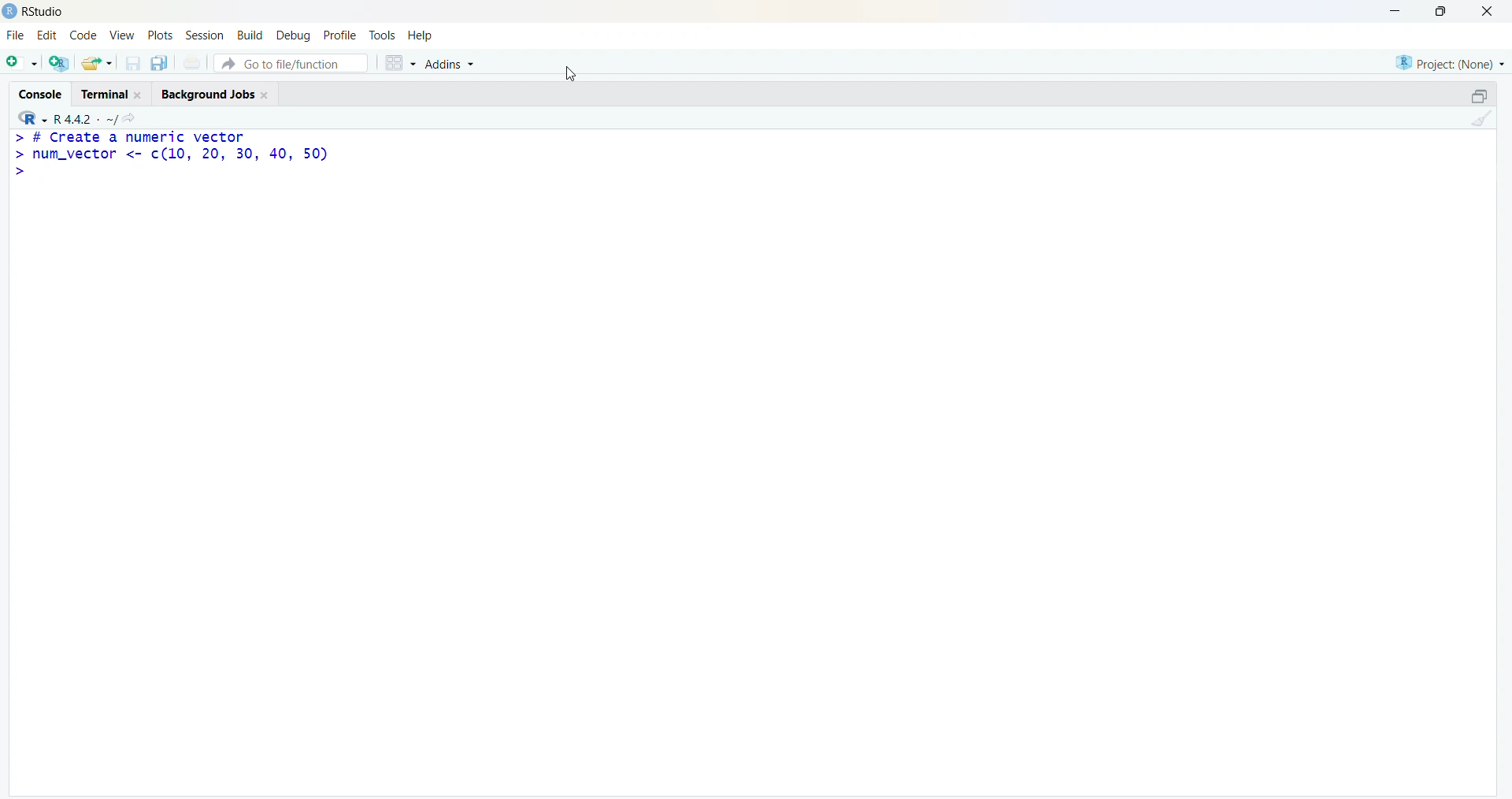  I want to click on console, so click(41, 95).